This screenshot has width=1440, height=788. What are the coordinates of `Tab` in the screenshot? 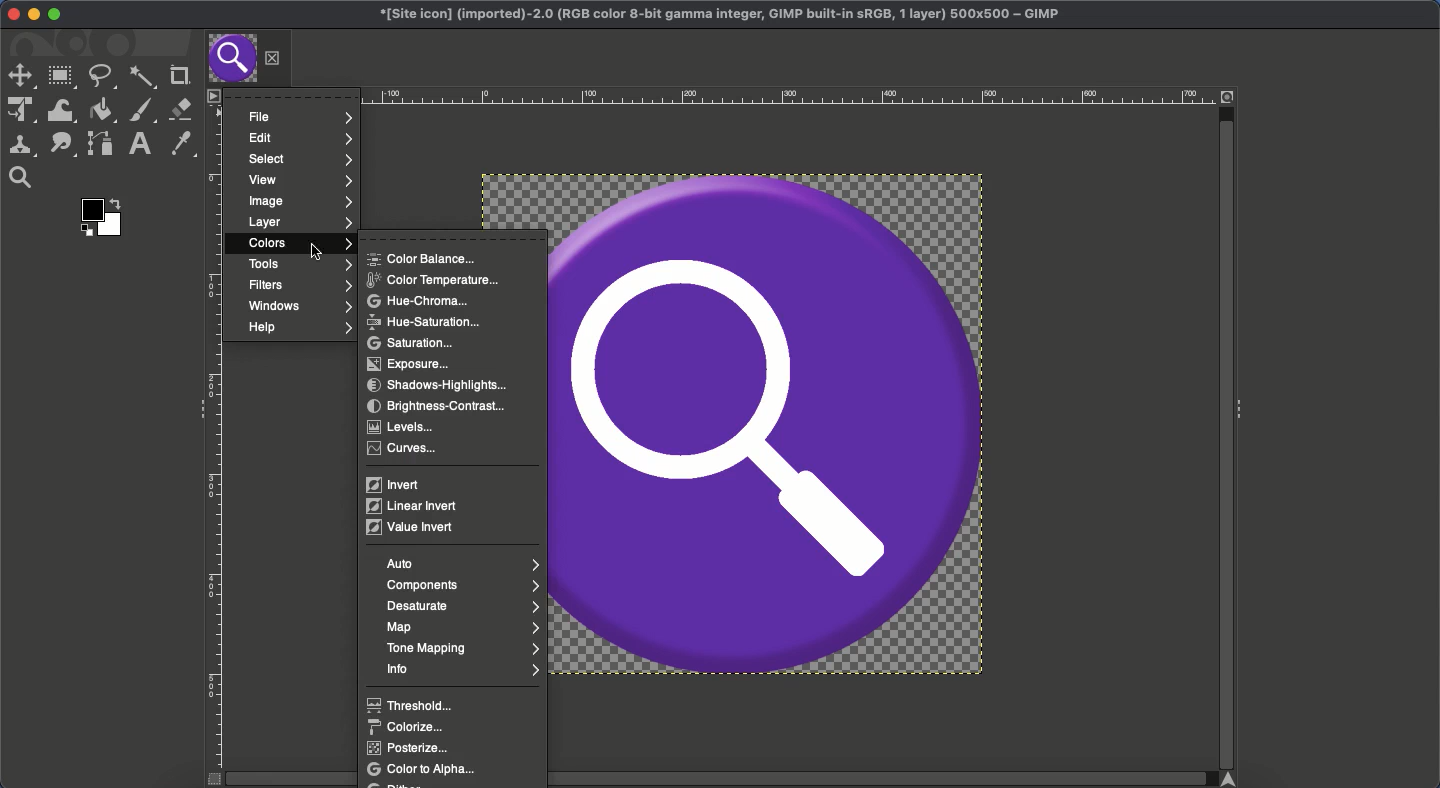 It's located at (248, 59).